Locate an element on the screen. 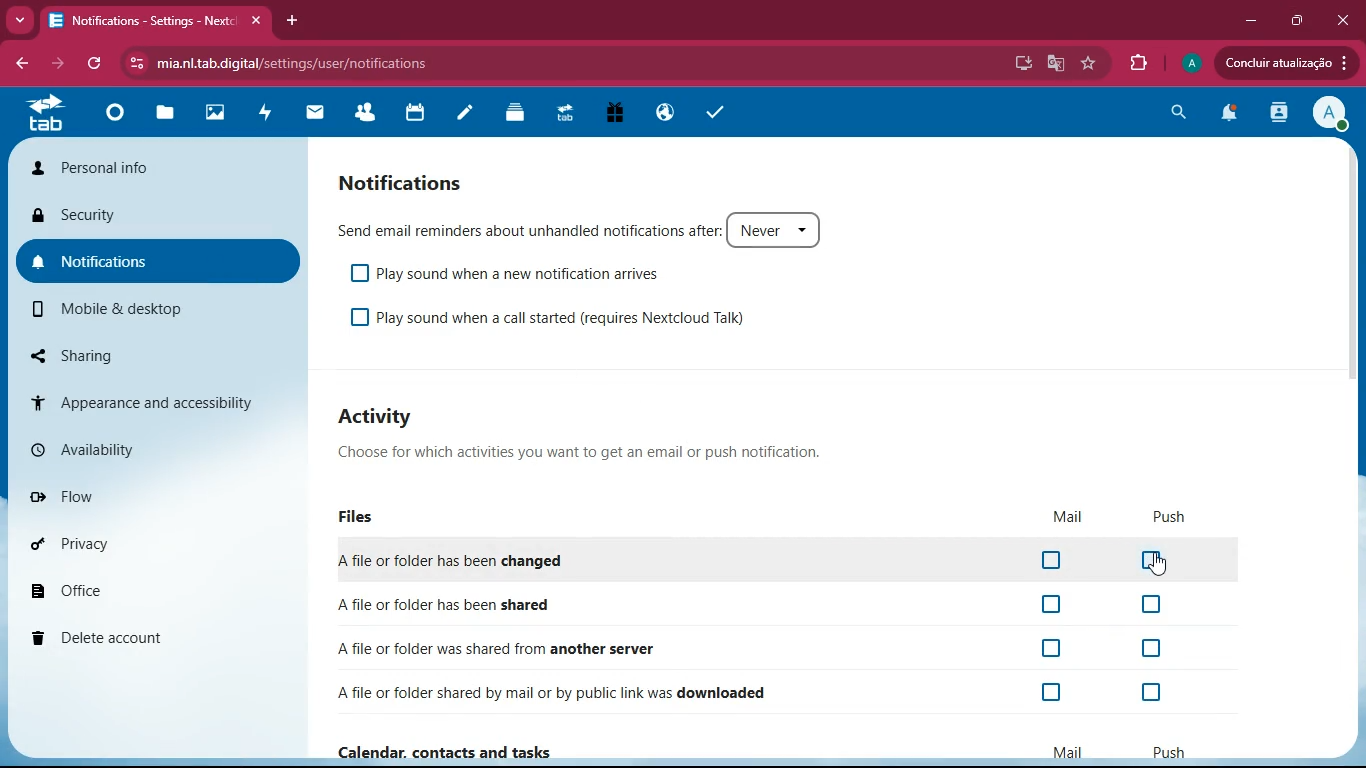 This screenshot has width=1366, height=768. notes is located at coordinates (467, 112).